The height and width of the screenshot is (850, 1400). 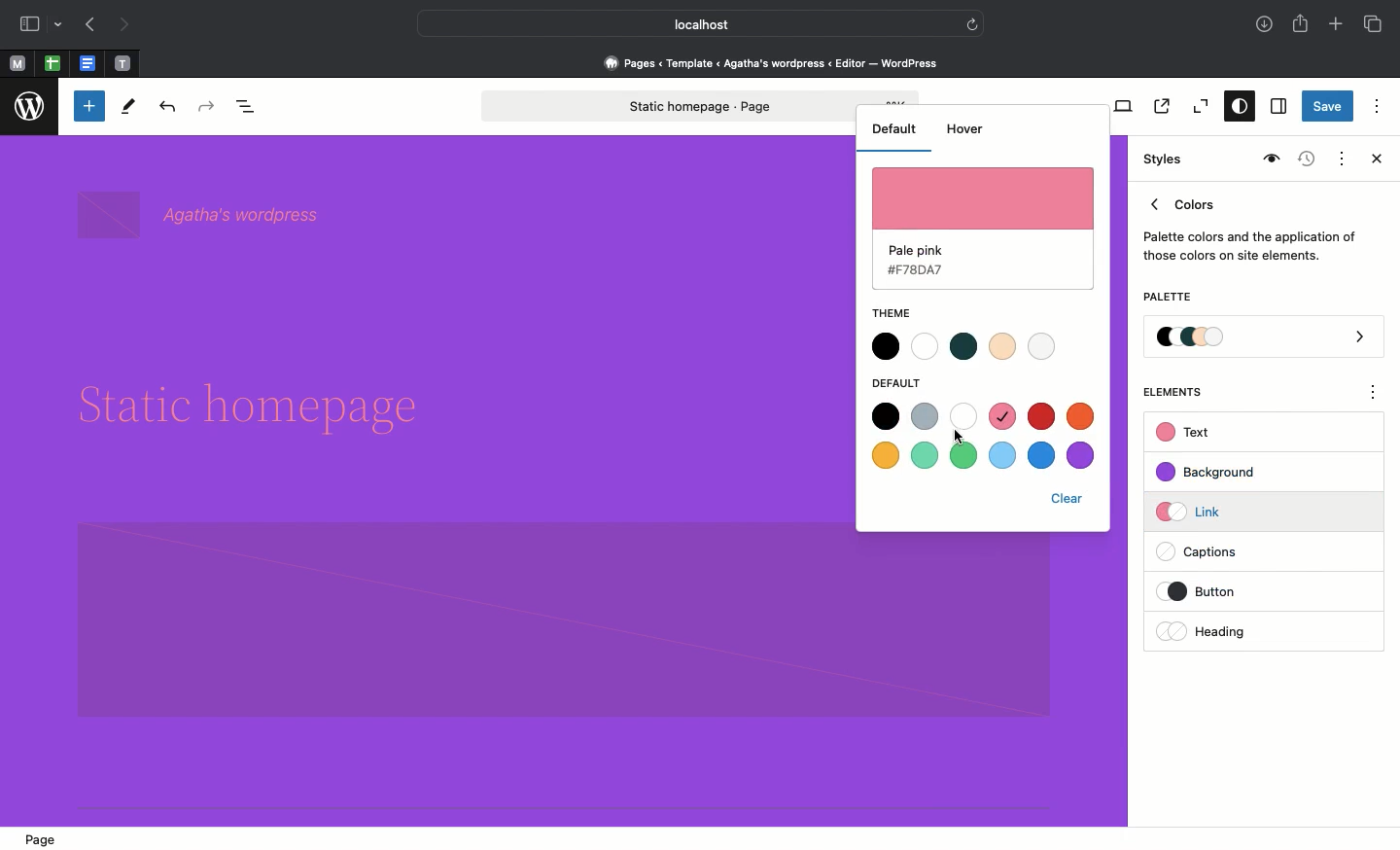 I want to click on Default, so click(x=901, y=382).